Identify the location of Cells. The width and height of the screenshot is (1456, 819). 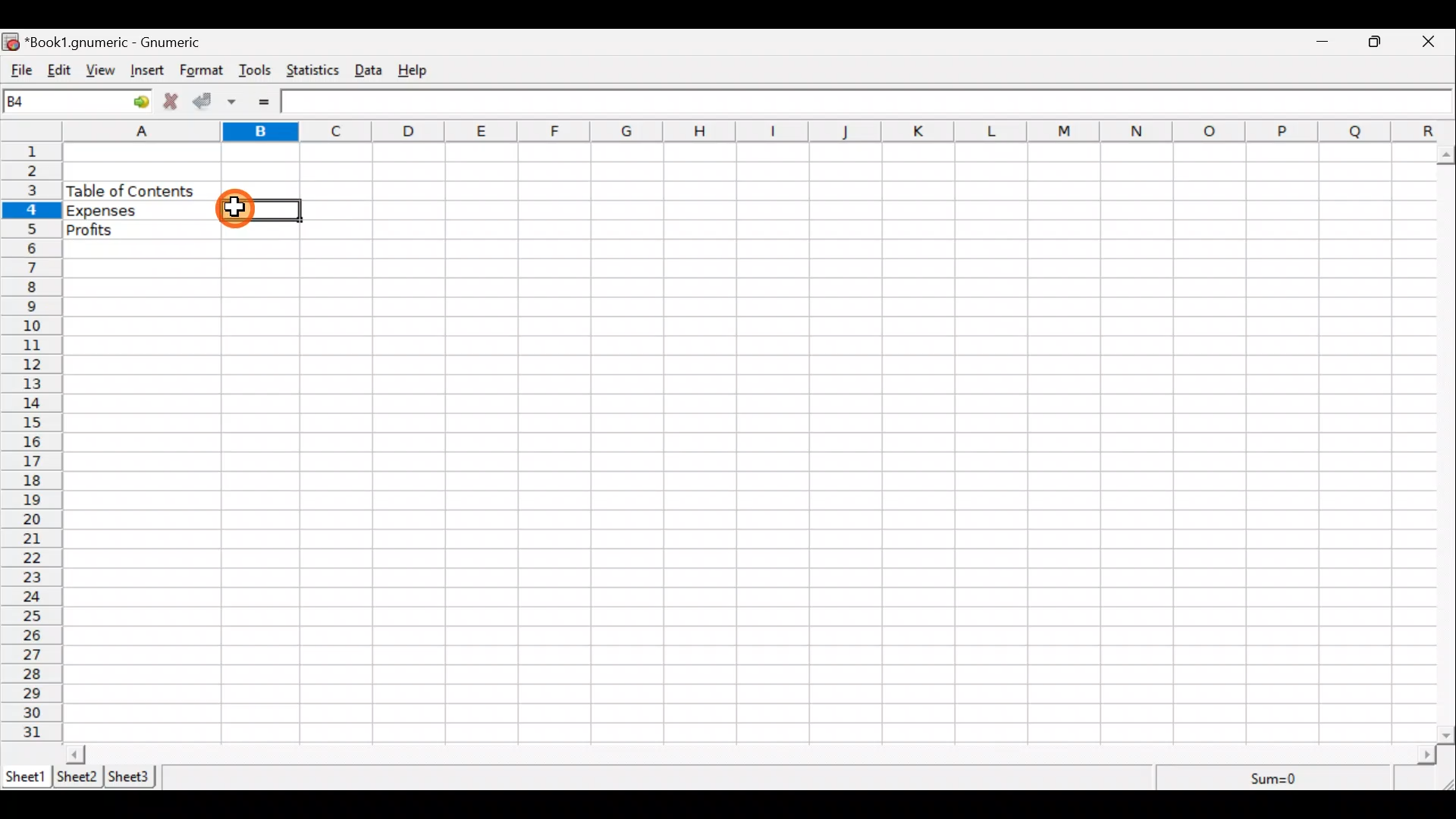
(869, 439).